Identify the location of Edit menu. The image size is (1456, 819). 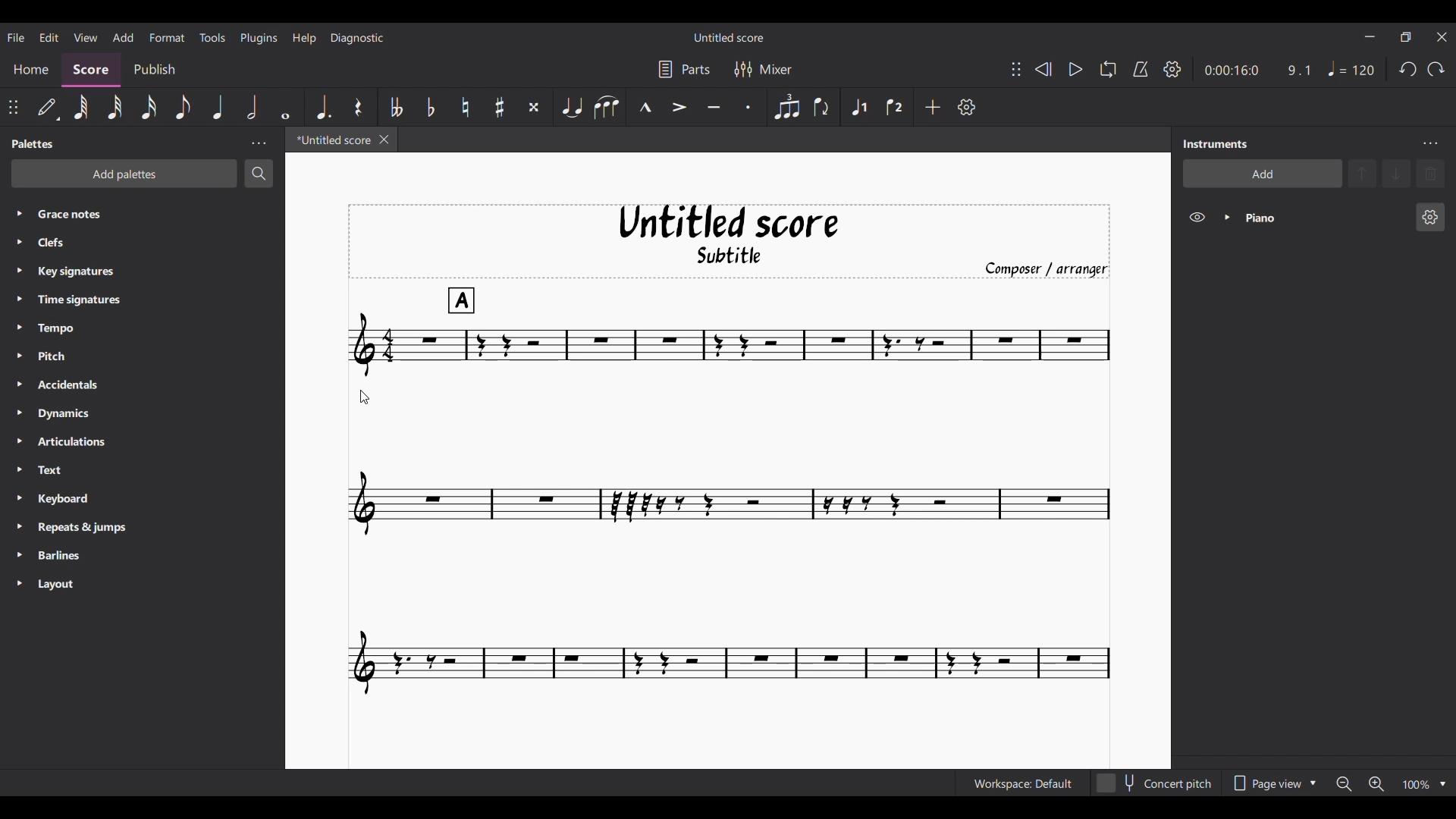
(48, 36).